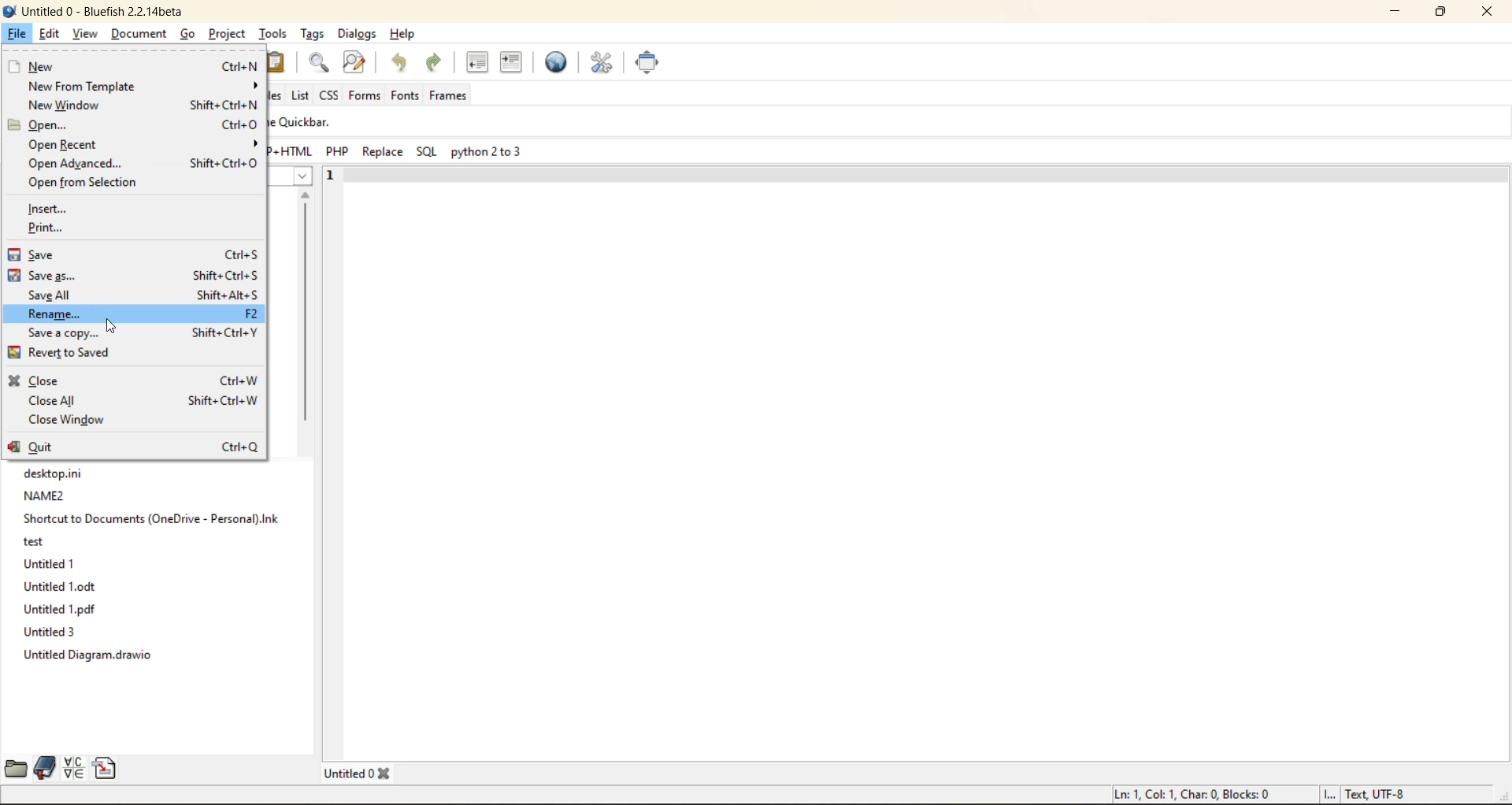 This screenshot has height=805, width=1512. What do you see at coordinates (600, 62) in the screenshot?
I see `edit preferences` at bounding box center [600, 62].